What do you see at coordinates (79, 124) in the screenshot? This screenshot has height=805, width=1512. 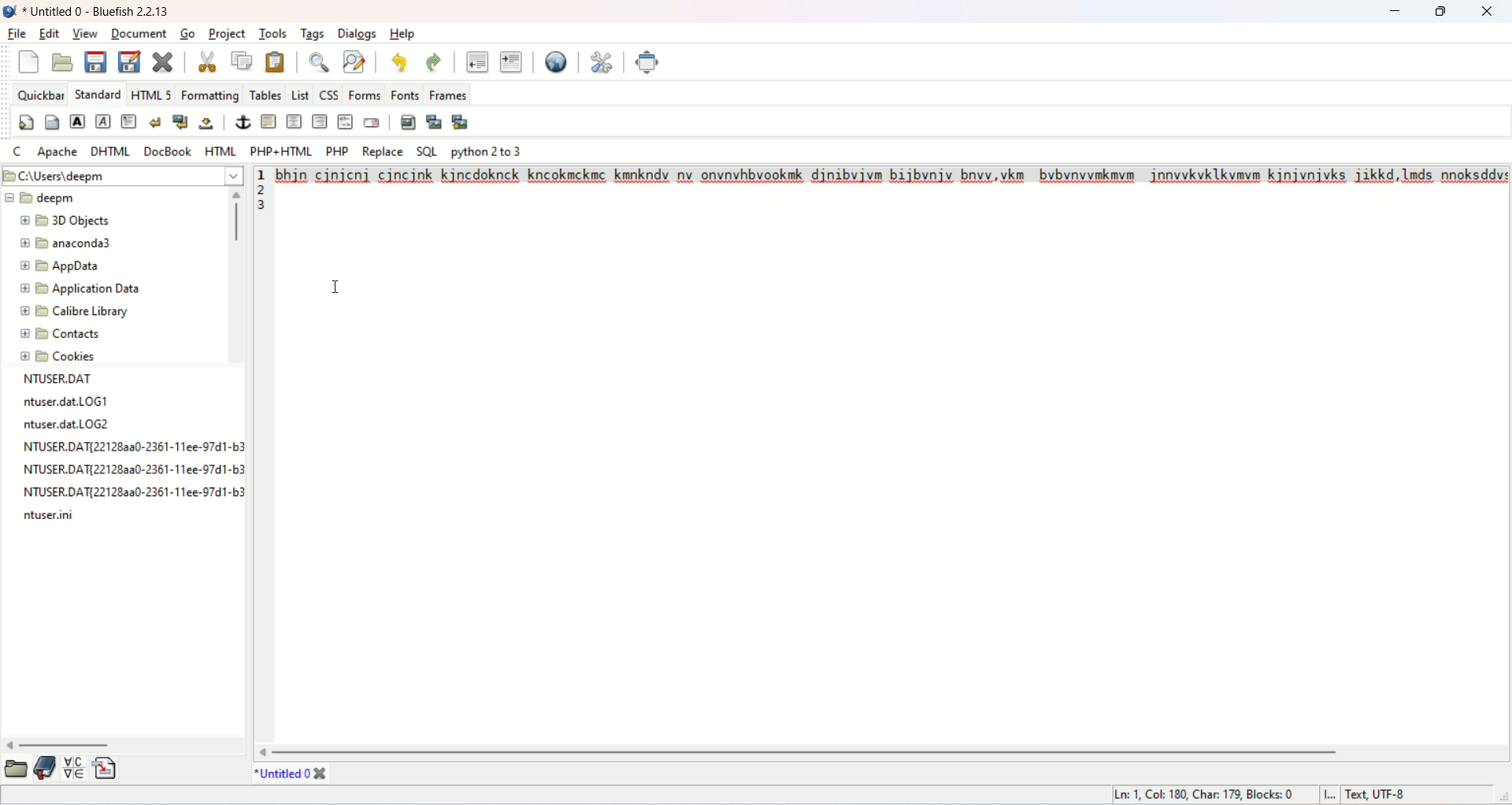 I see `strong` at bounding box center [79, 124].